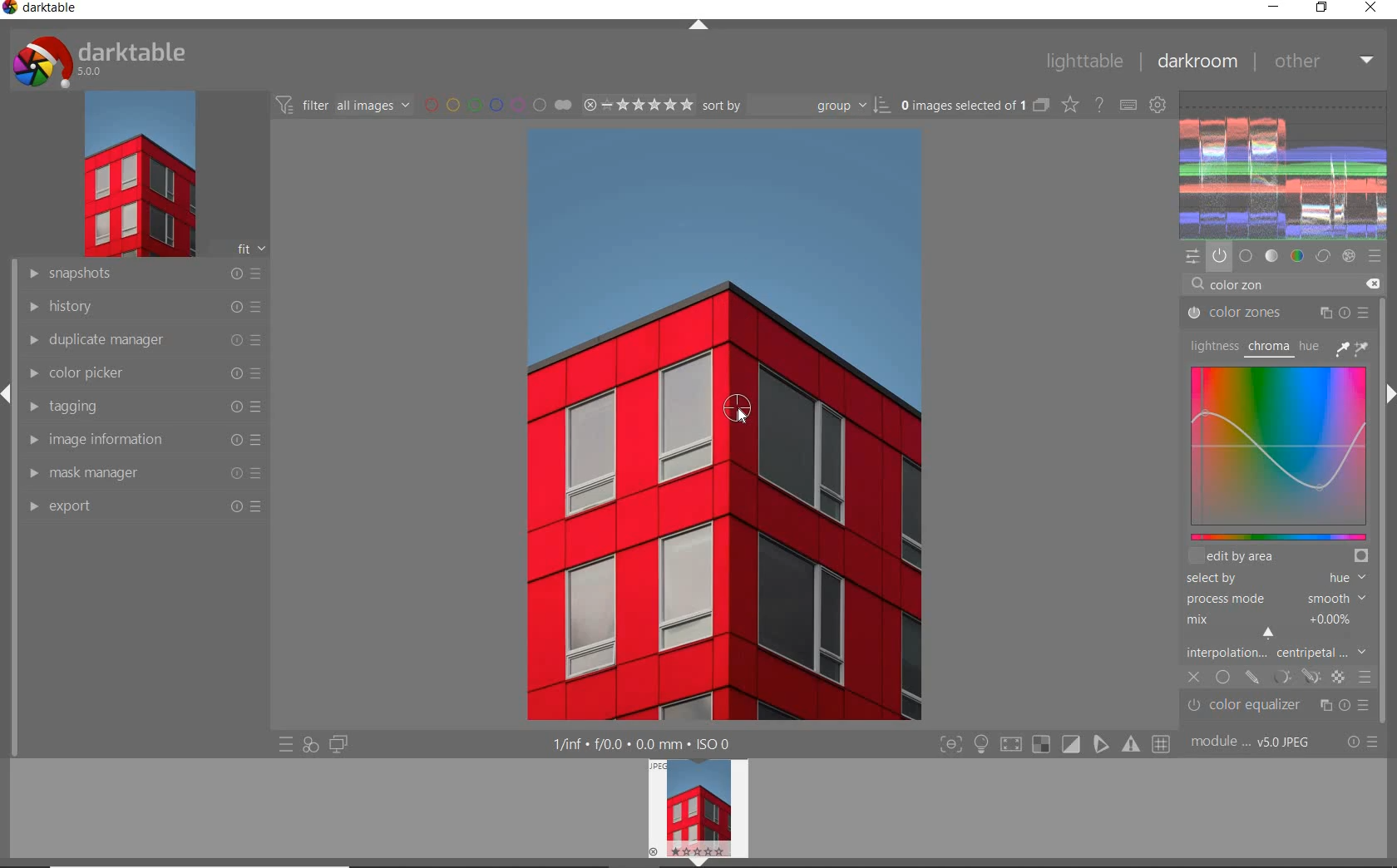 The width and height of the screenshot is (1397, 868). Describe the element at coordinates (141, 407) in the screenshot. I see `tagging` at that location.